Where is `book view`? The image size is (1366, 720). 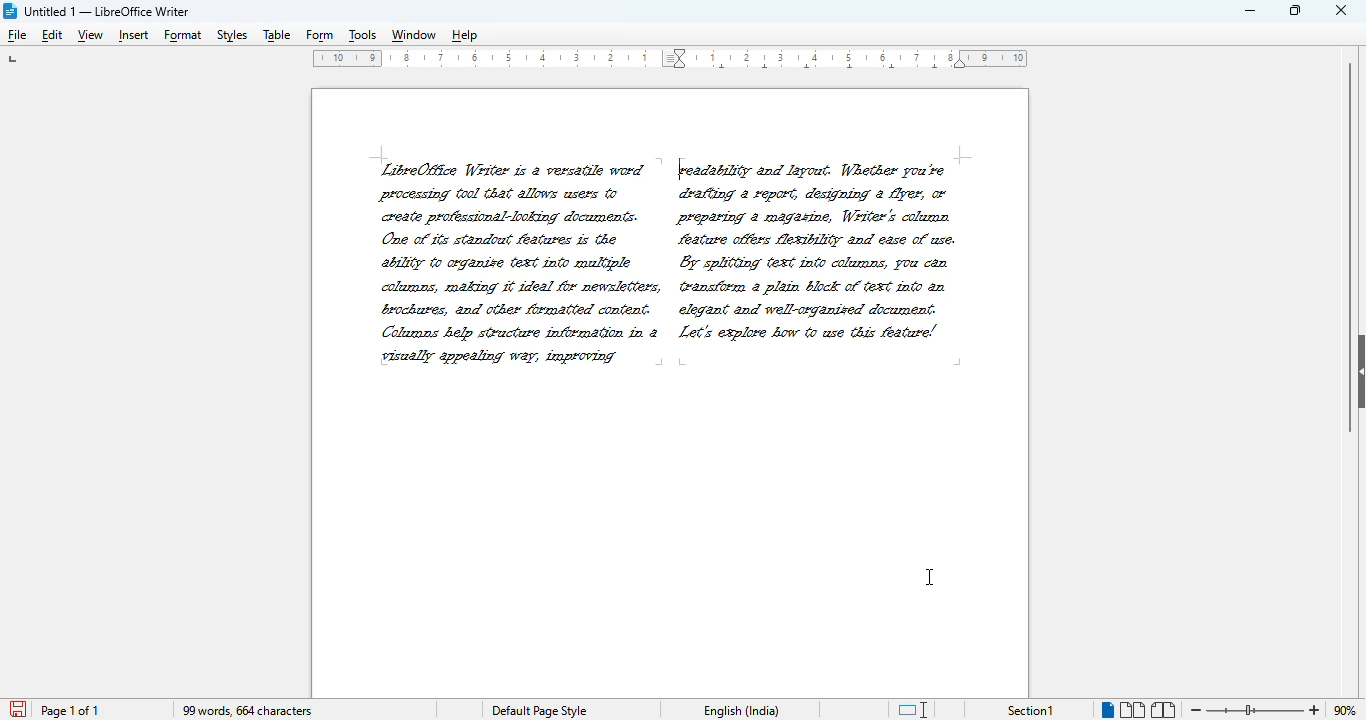 book view is located at coordinates (1163, 710).